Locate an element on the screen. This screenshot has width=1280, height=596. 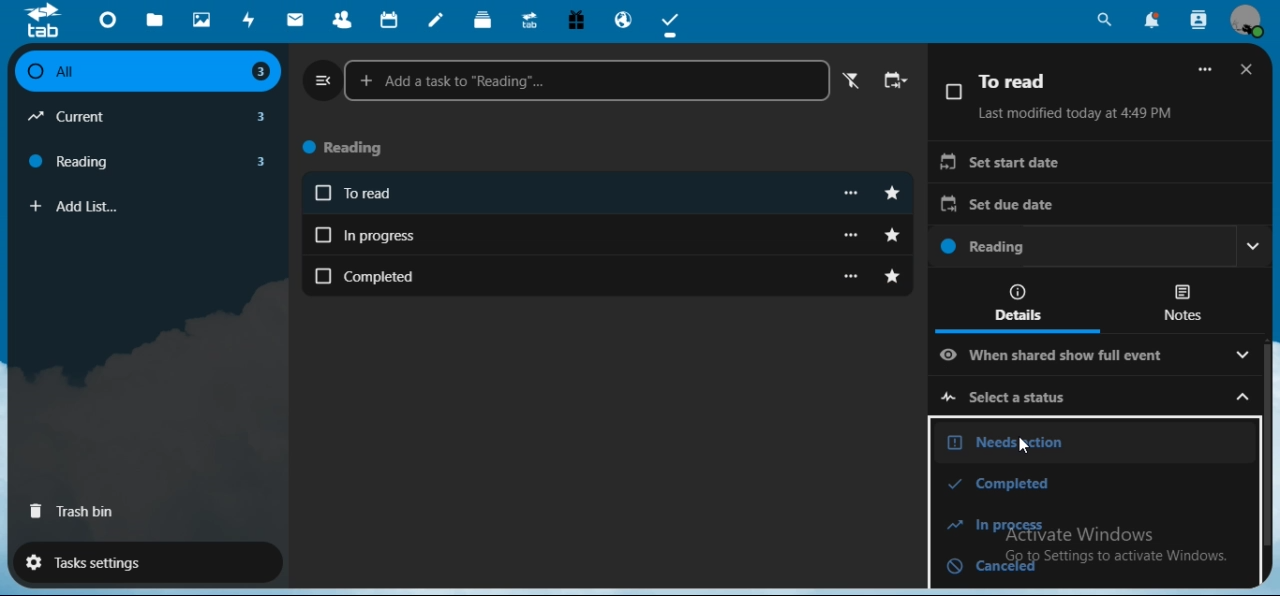
3 is located at coordinates (261, 73).